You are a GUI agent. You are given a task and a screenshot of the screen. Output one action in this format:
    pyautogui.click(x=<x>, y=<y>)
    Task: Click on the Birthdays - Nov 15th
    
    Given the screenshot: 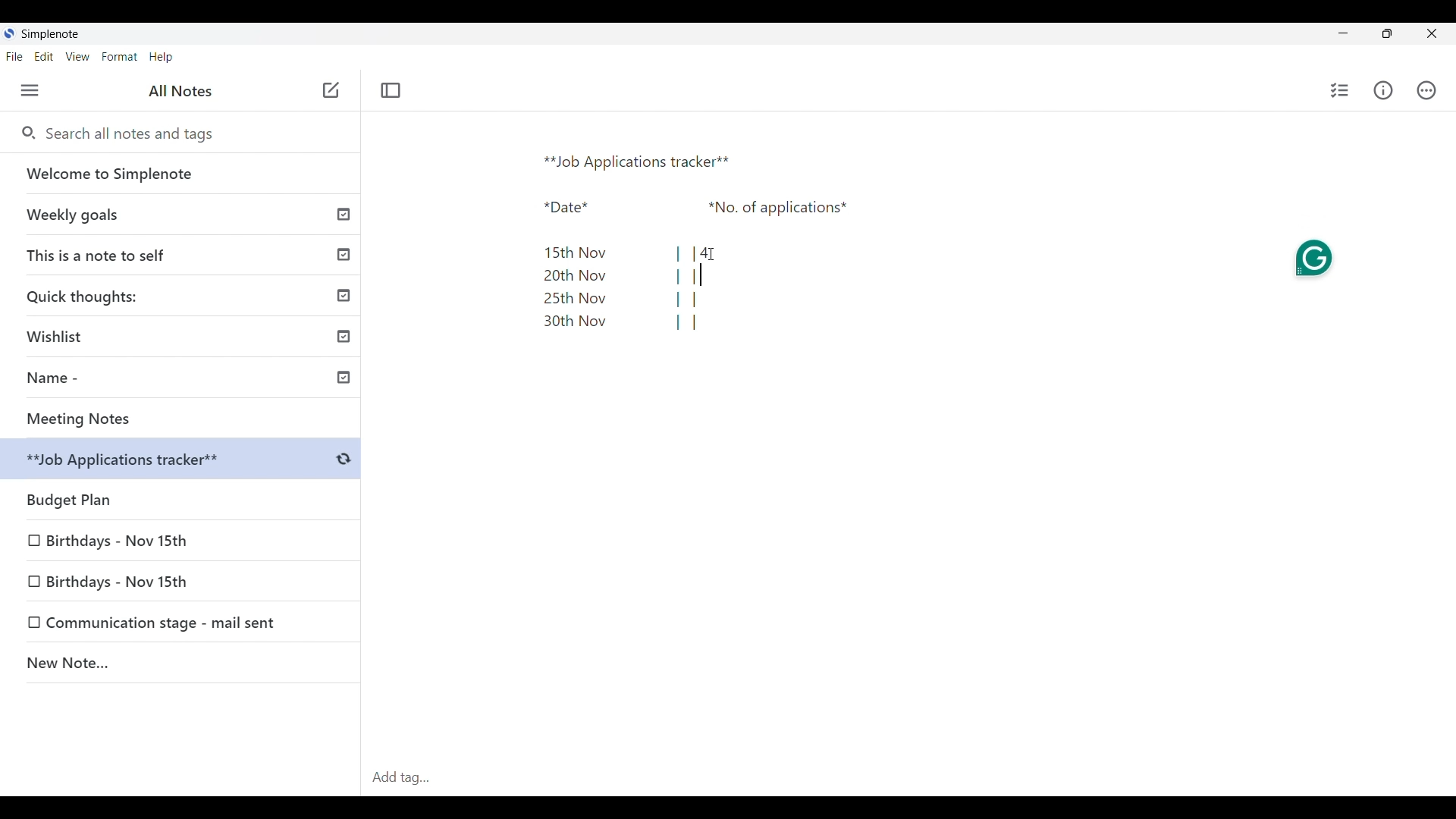 What is the action you would take?
    pyautogui.click(x=146, y=579)
    